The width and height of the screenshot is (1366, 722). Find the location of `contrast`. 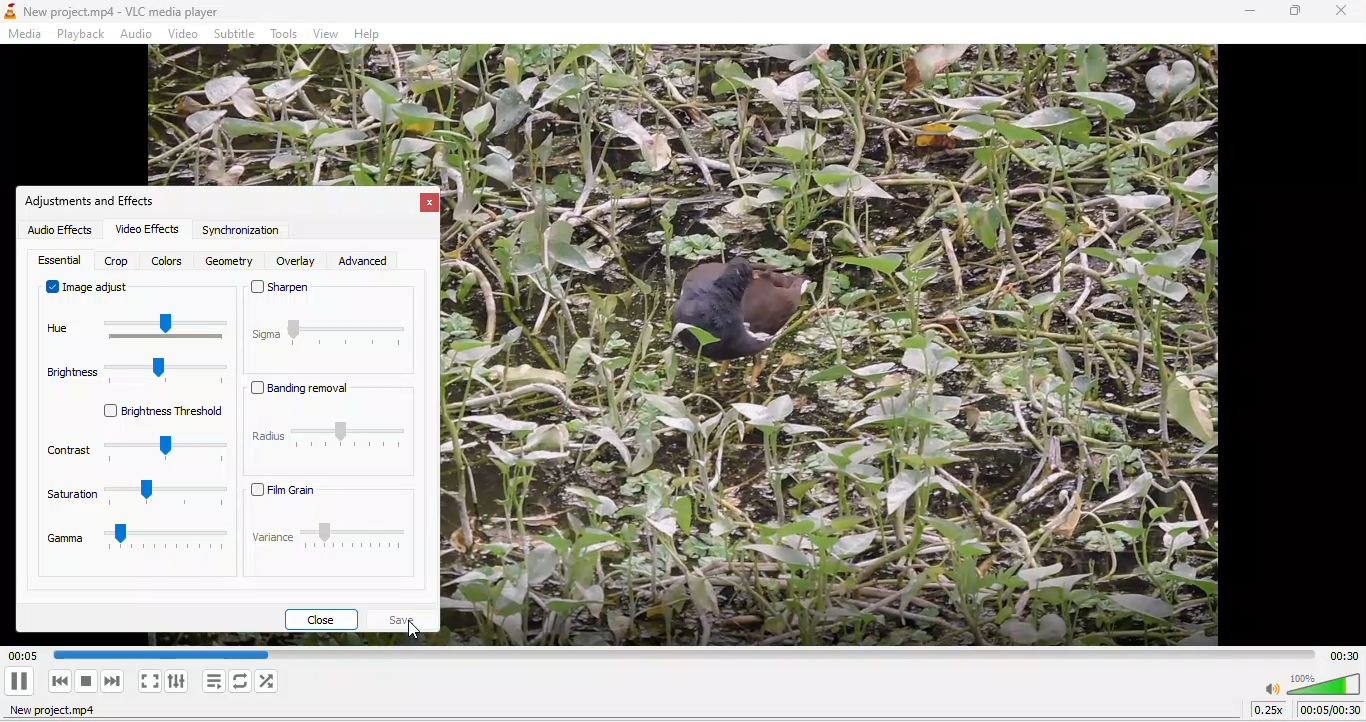

contrast is located at coordinates (133, 452).